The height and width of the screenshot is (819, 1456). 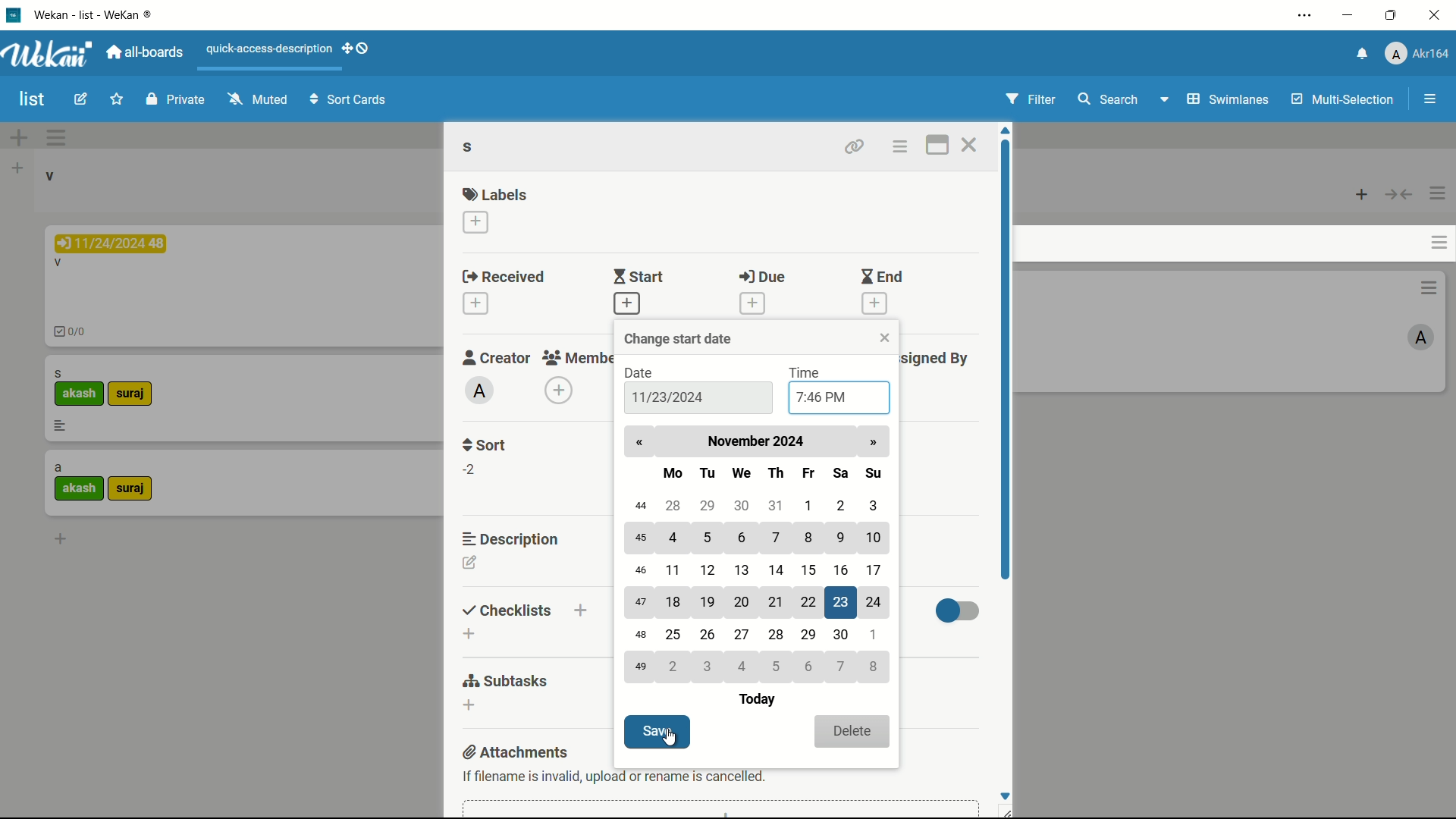 I want to click on days, so click(x=771, y=472).